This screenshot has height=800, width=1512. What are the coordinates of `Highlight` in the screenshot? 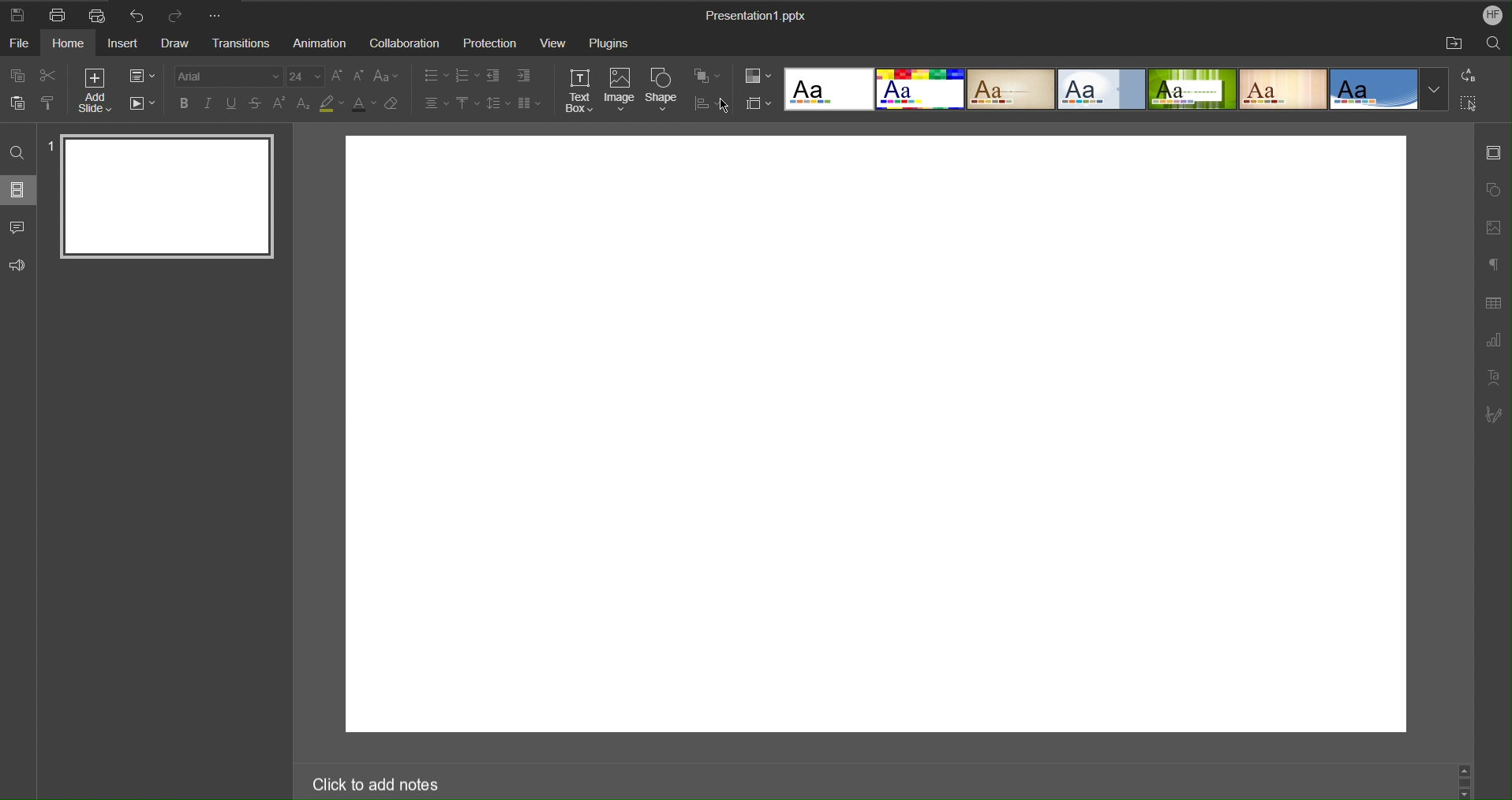 It's located at (331, 103).